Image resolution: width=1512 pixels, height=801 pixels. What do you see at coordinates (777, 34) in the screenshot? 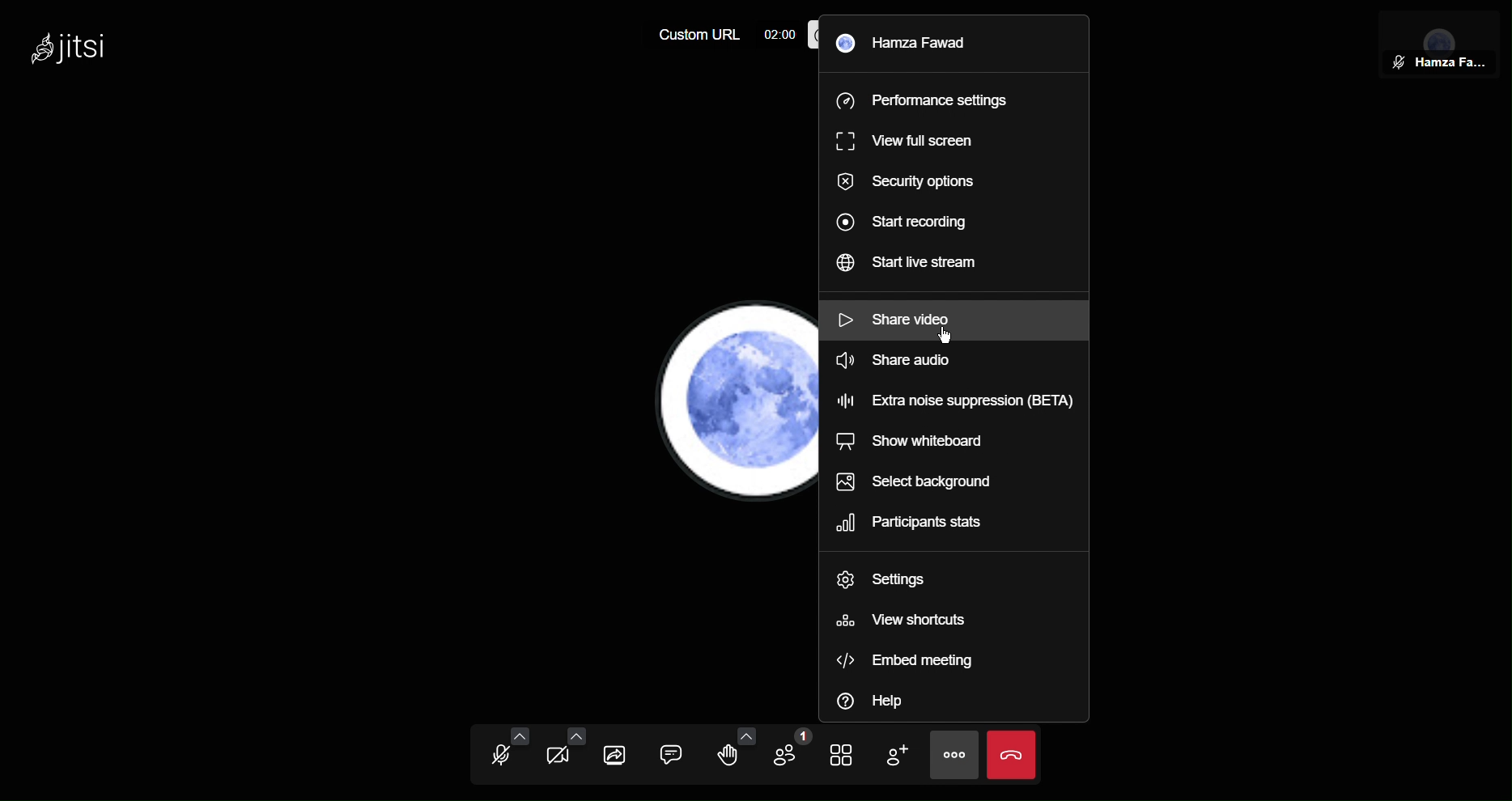
I see `TImer` at bounding box center [777, 34].